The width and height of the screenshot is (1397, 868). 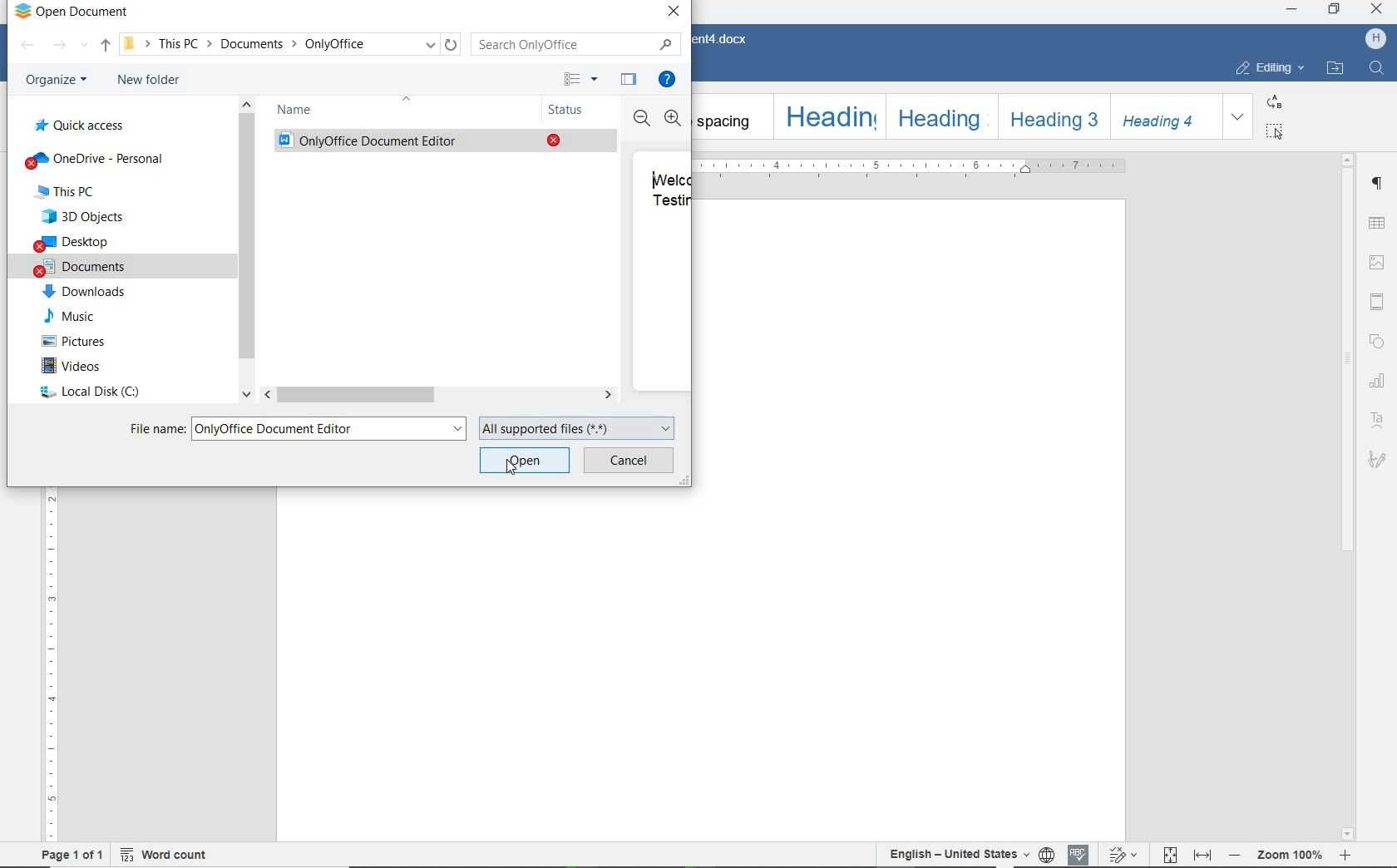 I want to click on name, so click(x=294, y=109).